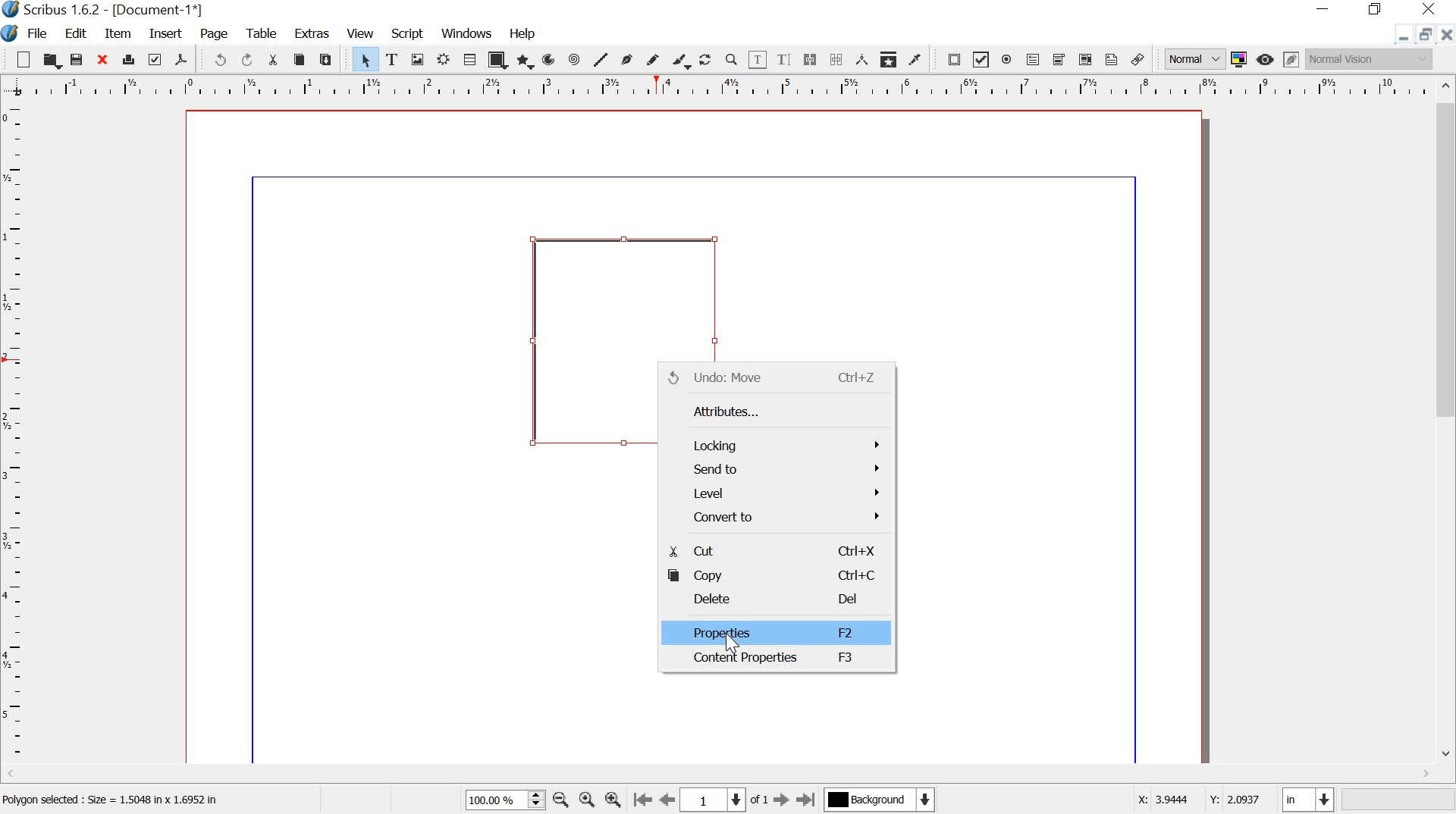 The height and width of the screenshot is (814, 1456). I want to click on normal vision, so click(1370, 59).